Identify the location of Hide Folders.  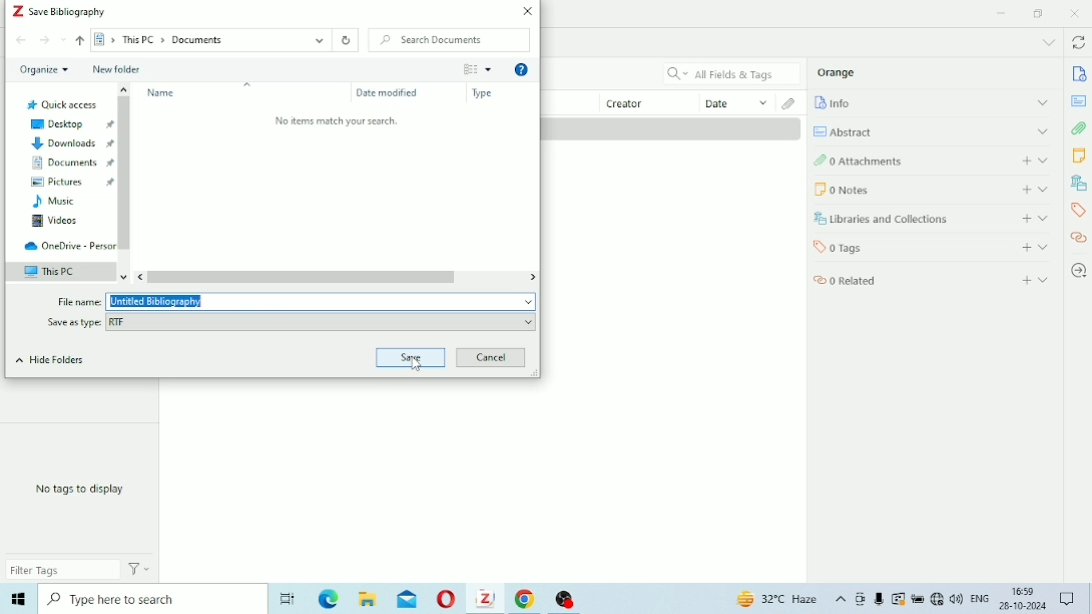
(48, 359).